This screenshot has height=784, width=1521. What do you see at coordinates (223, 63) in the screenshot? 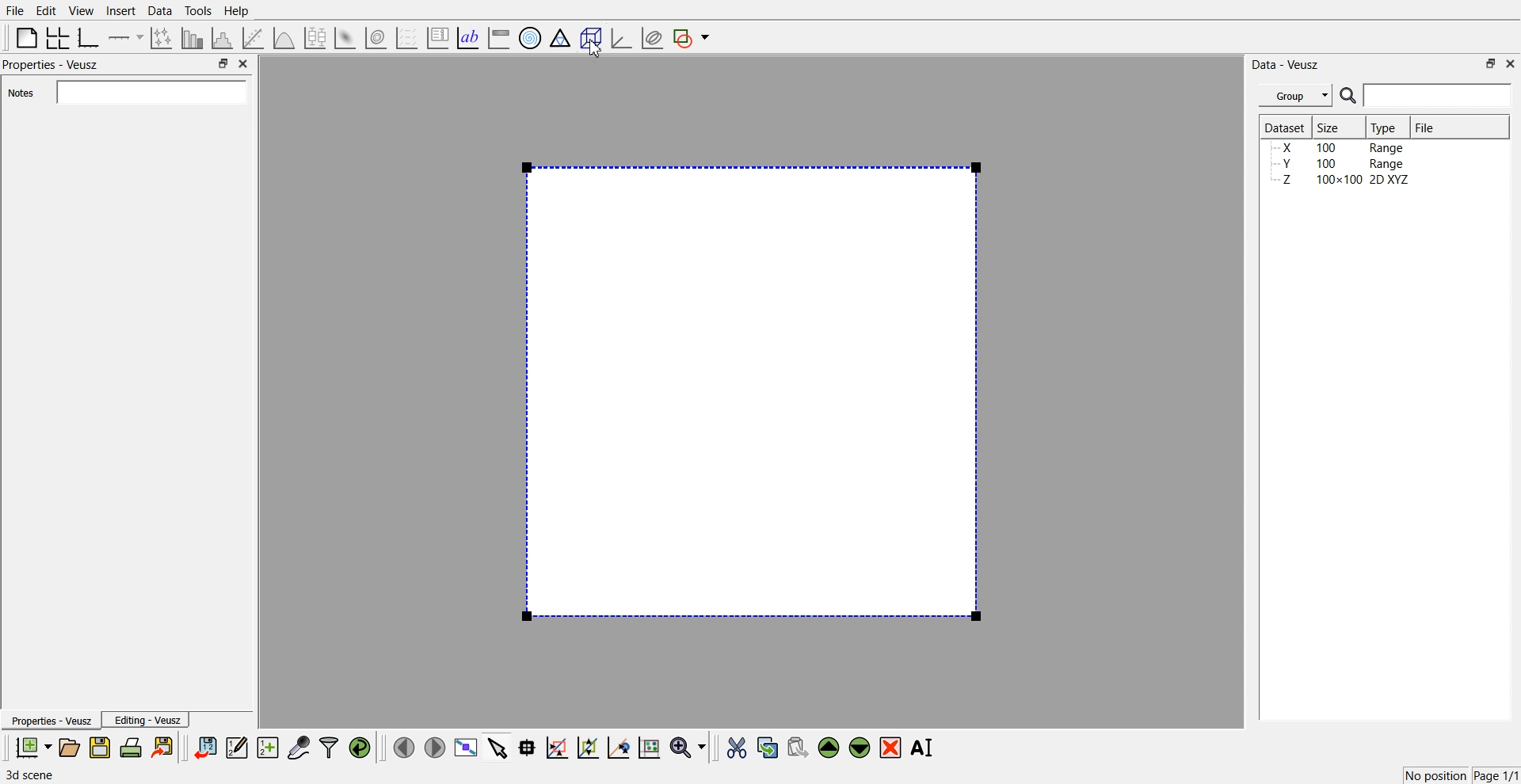
I see `Maximize` at bounding box center [223, 63].